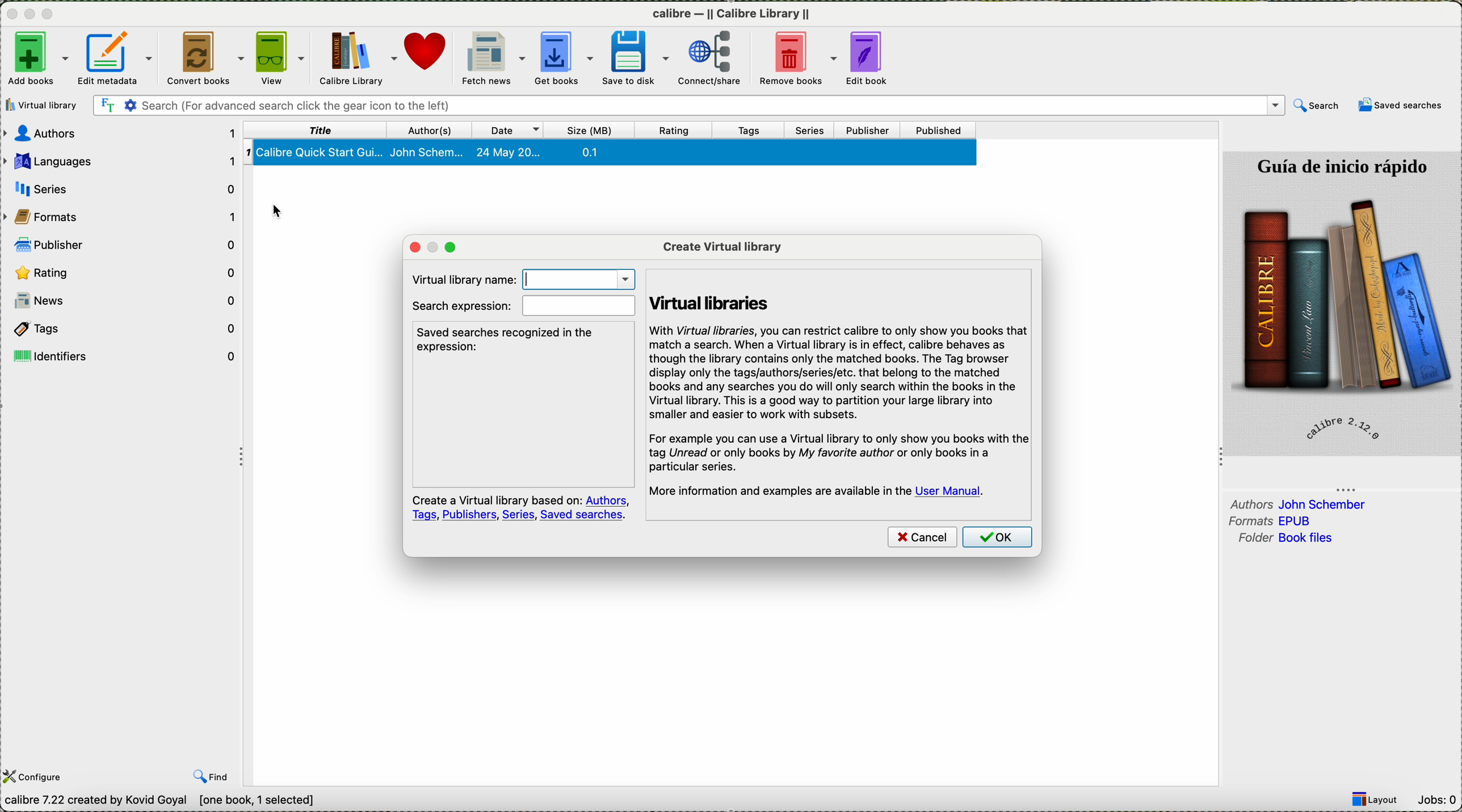 The image size is (1462, 812). Describe the element at coordinates (678, 130) in the screenshot. I see `rating` at that location.